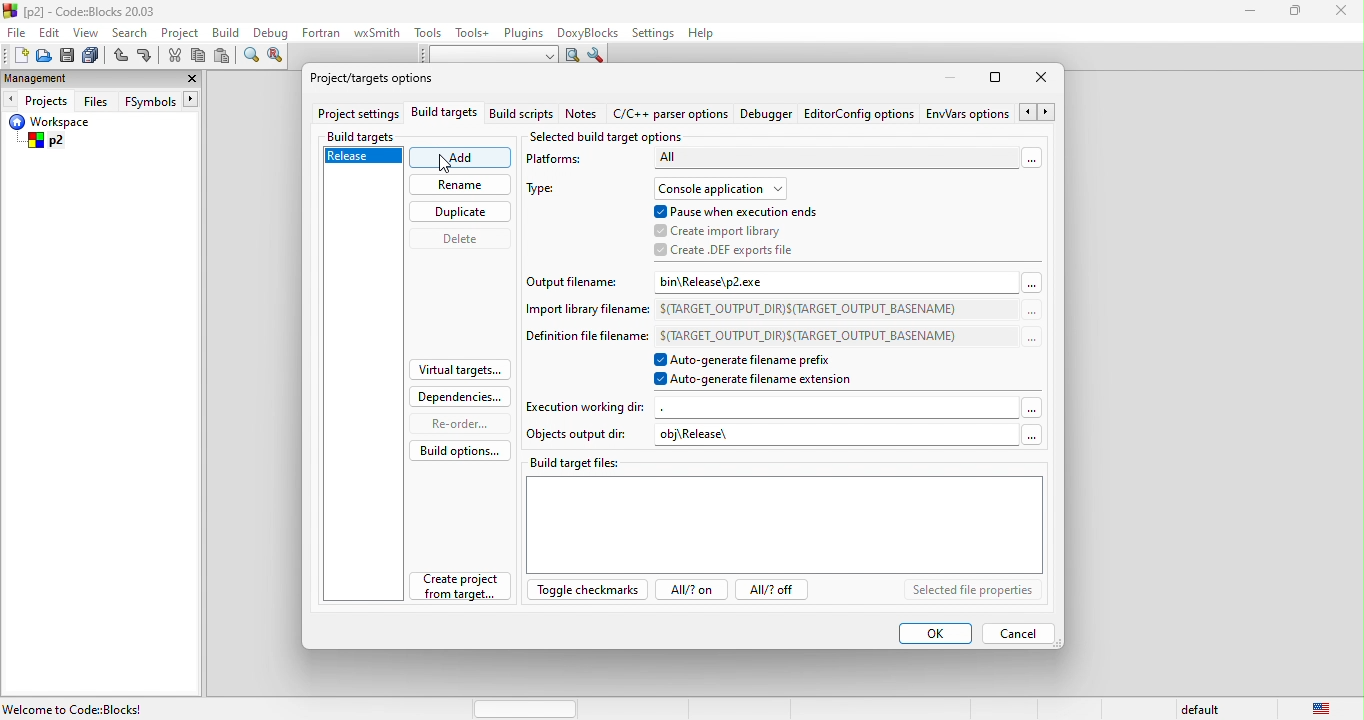  I want to click on virtual targets, so click(461, 367).